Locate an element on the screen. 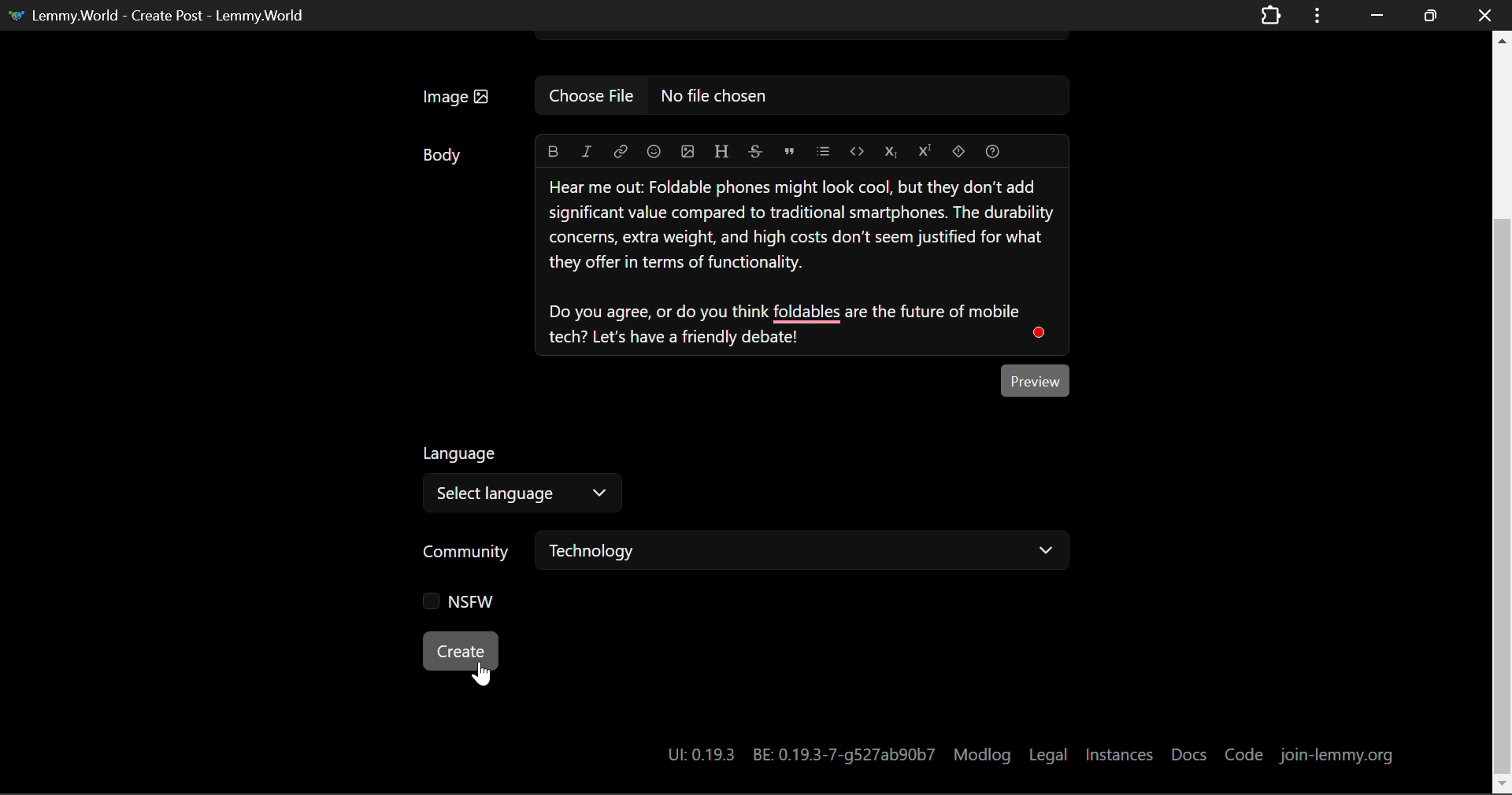 The height and width of the screenshot is (795, 1512). Lemmy.World - Create Post - Lemmy.World is located at coordinates (160, 14).